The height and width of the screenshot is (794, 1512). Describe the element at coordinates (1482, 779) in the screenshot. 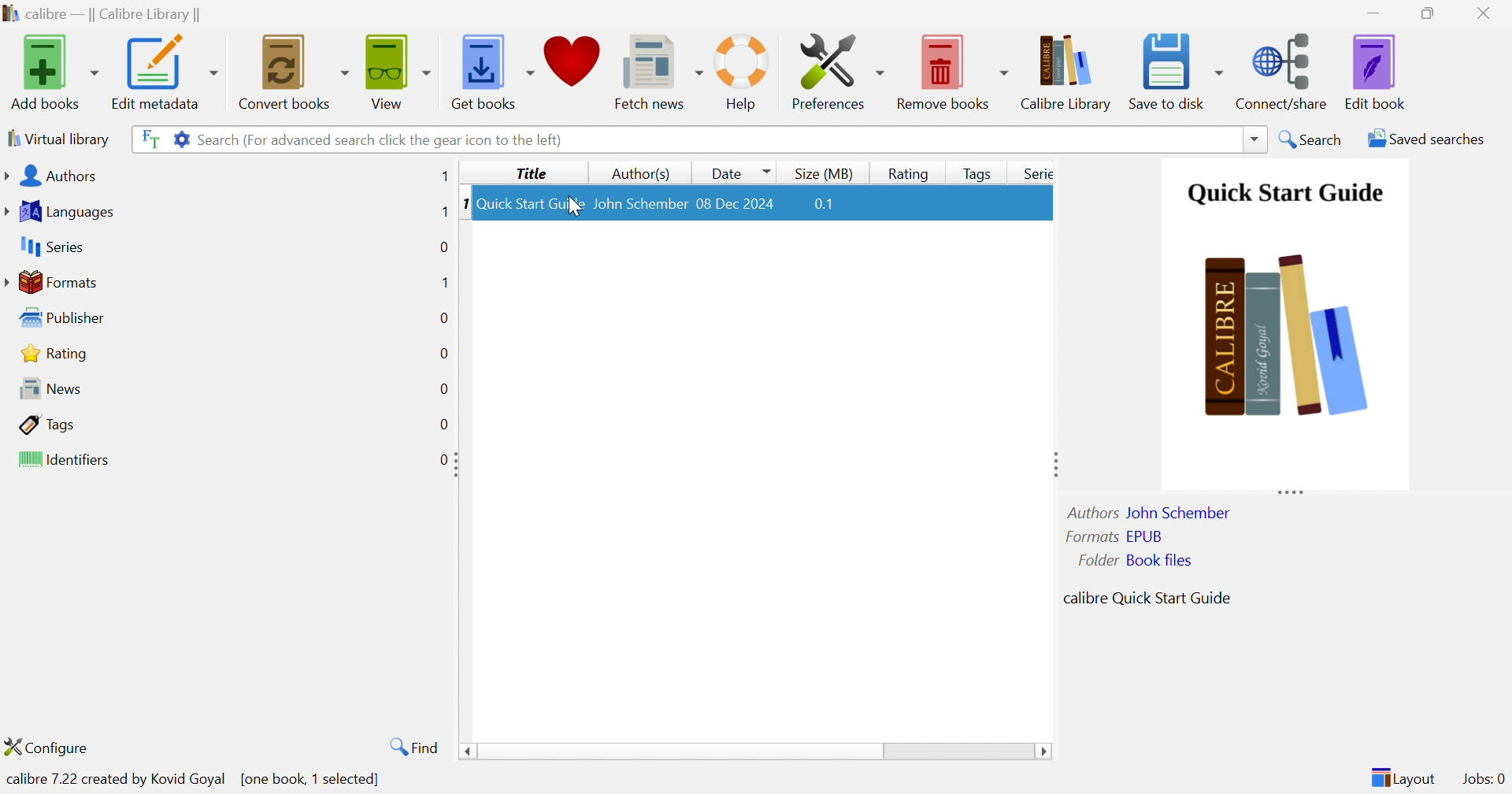

I see `Jobs: 0` at that location.